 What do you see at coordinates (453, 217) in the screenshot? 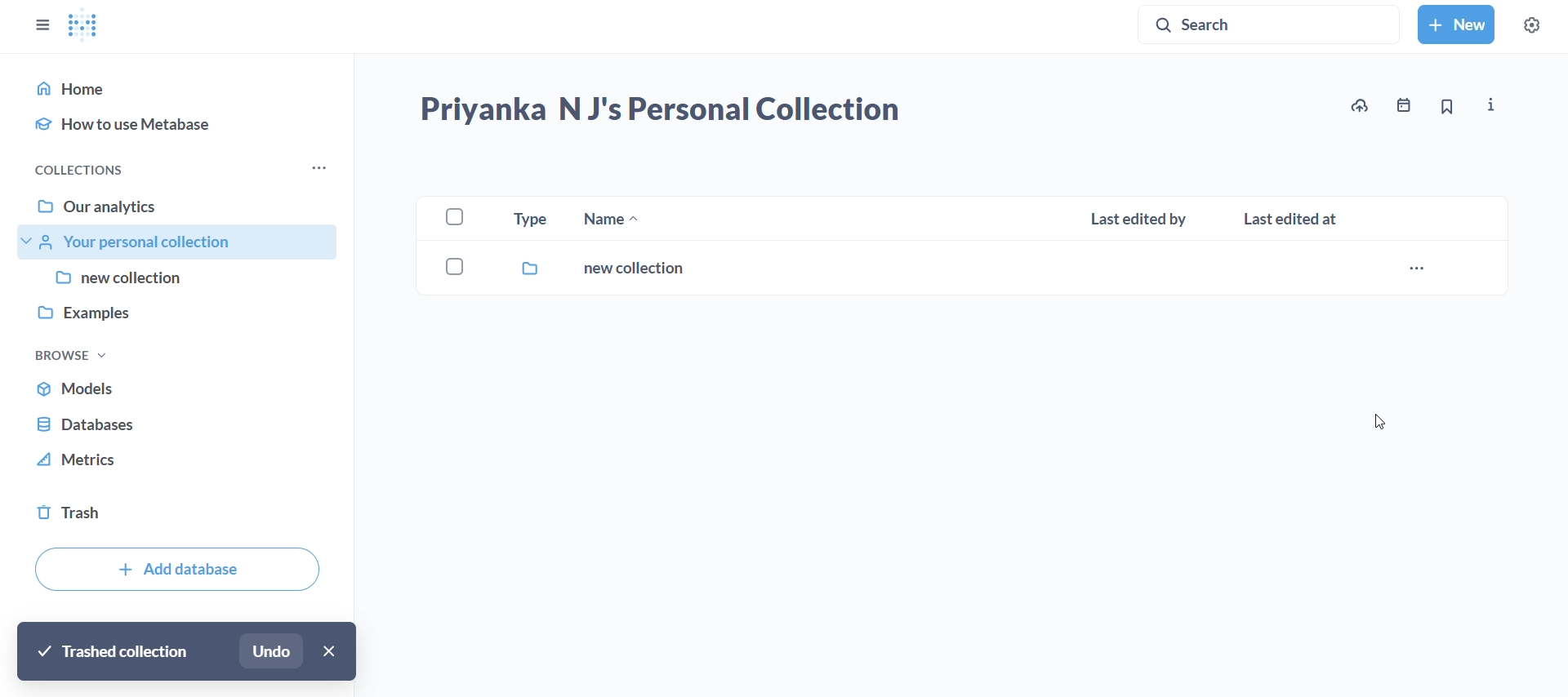
I see `checkbox` at bounding box center [453, 217].